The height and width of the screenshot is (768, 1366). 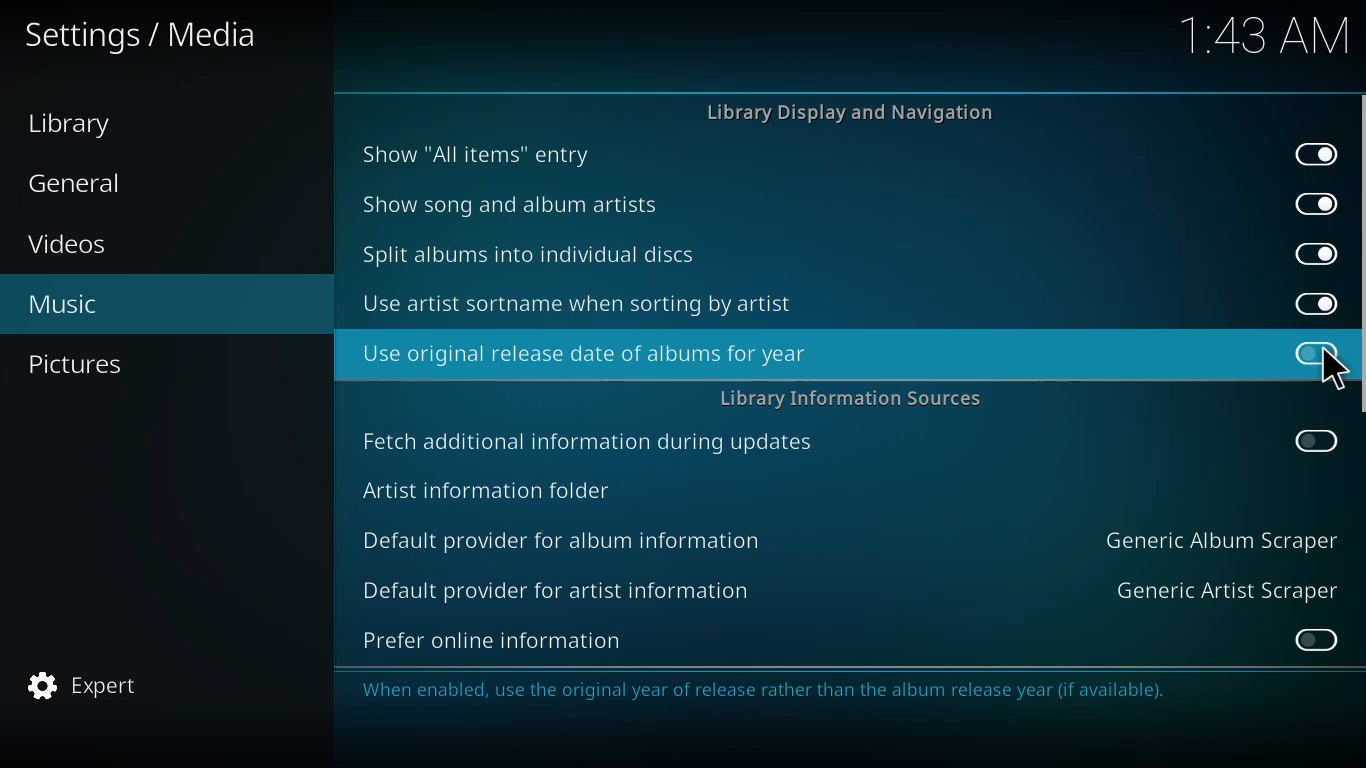 What do you see at coordinates (583, 353) in the screenshot?
I see `use original release date of album` at bounding box center [583, 353].